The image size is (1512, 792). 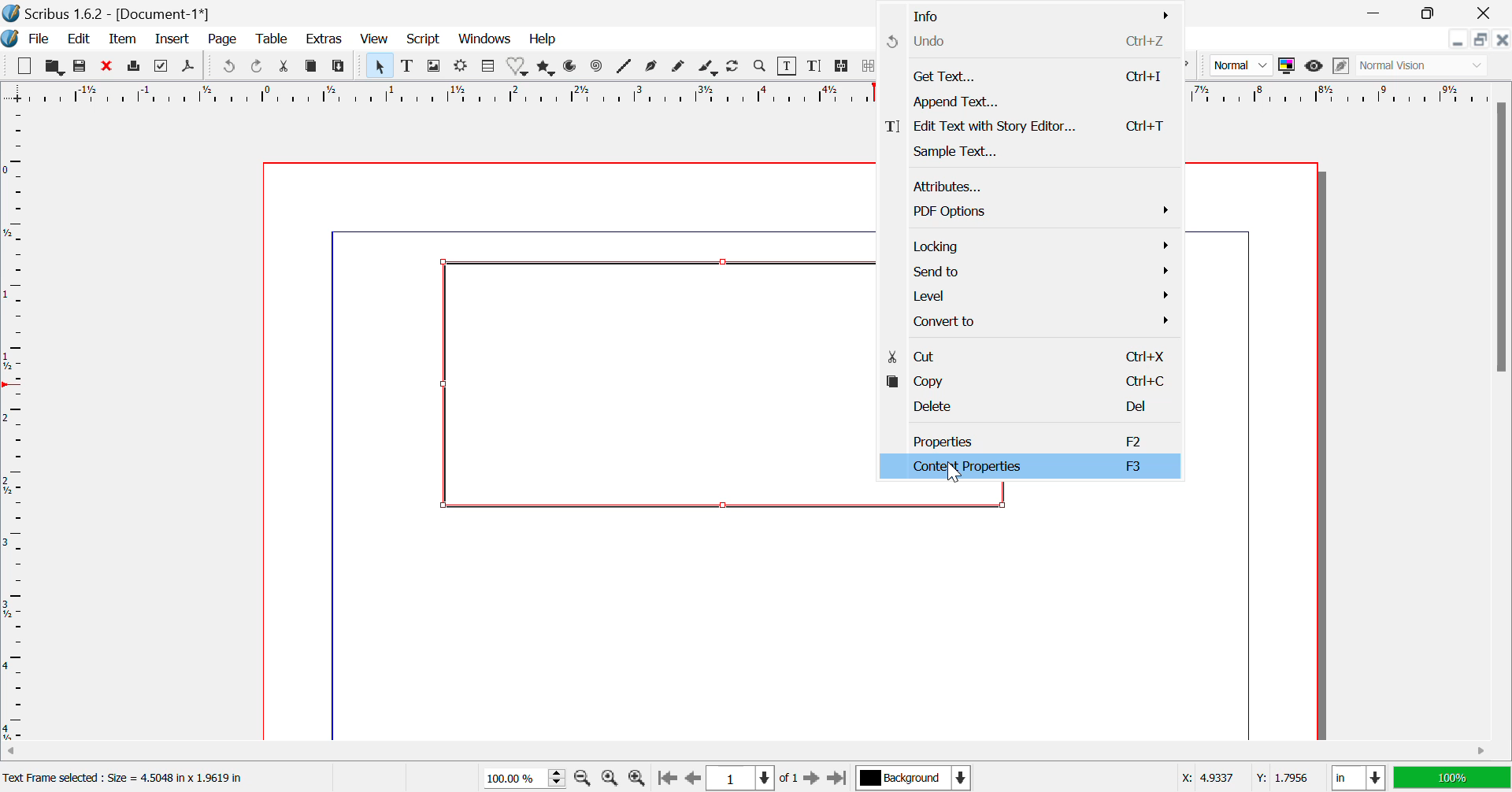 I want to click on First Page, so click(x=666, y=778).